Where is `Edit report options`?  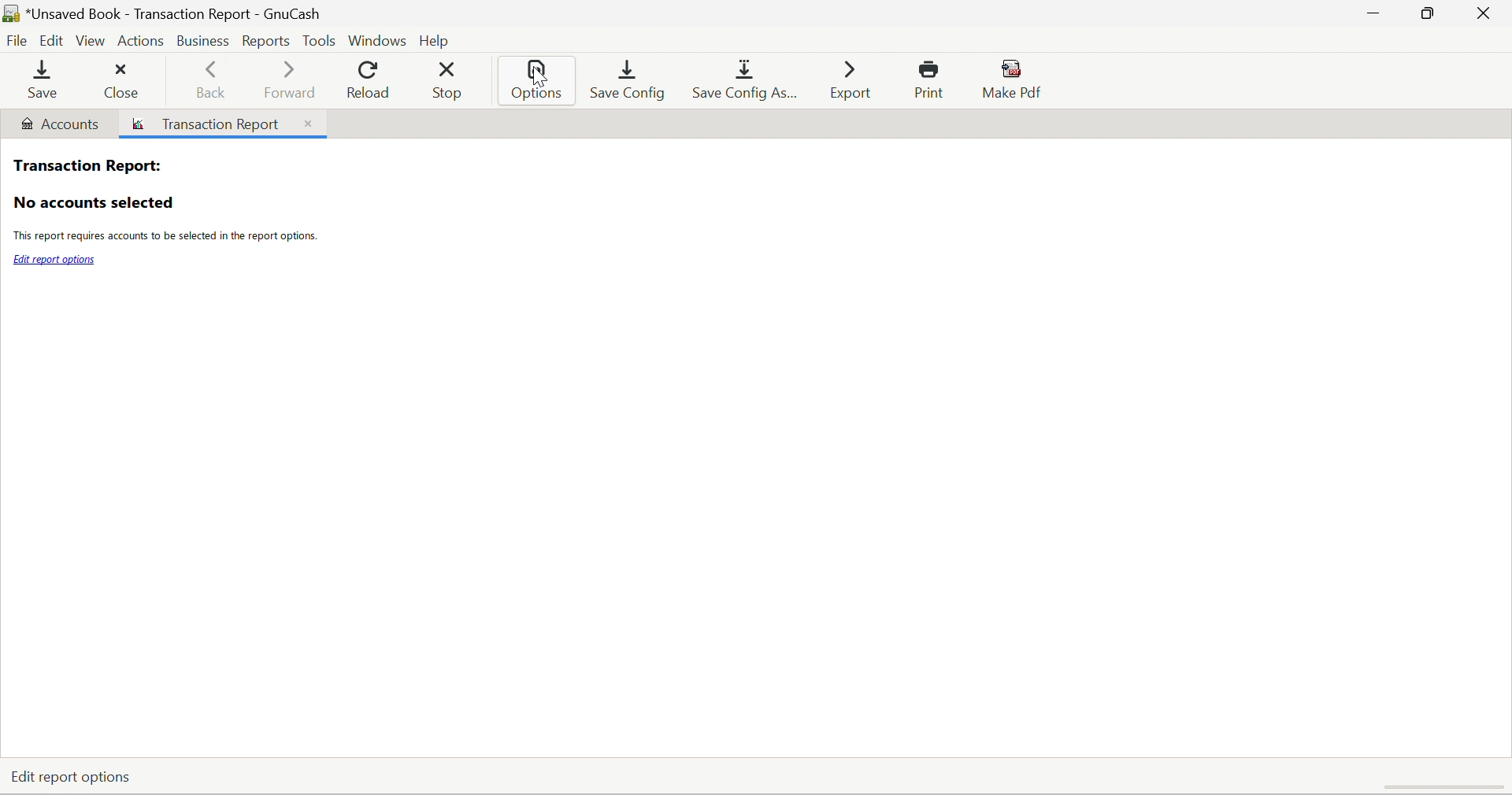 Edit report options is located at coordinates (70, 775).